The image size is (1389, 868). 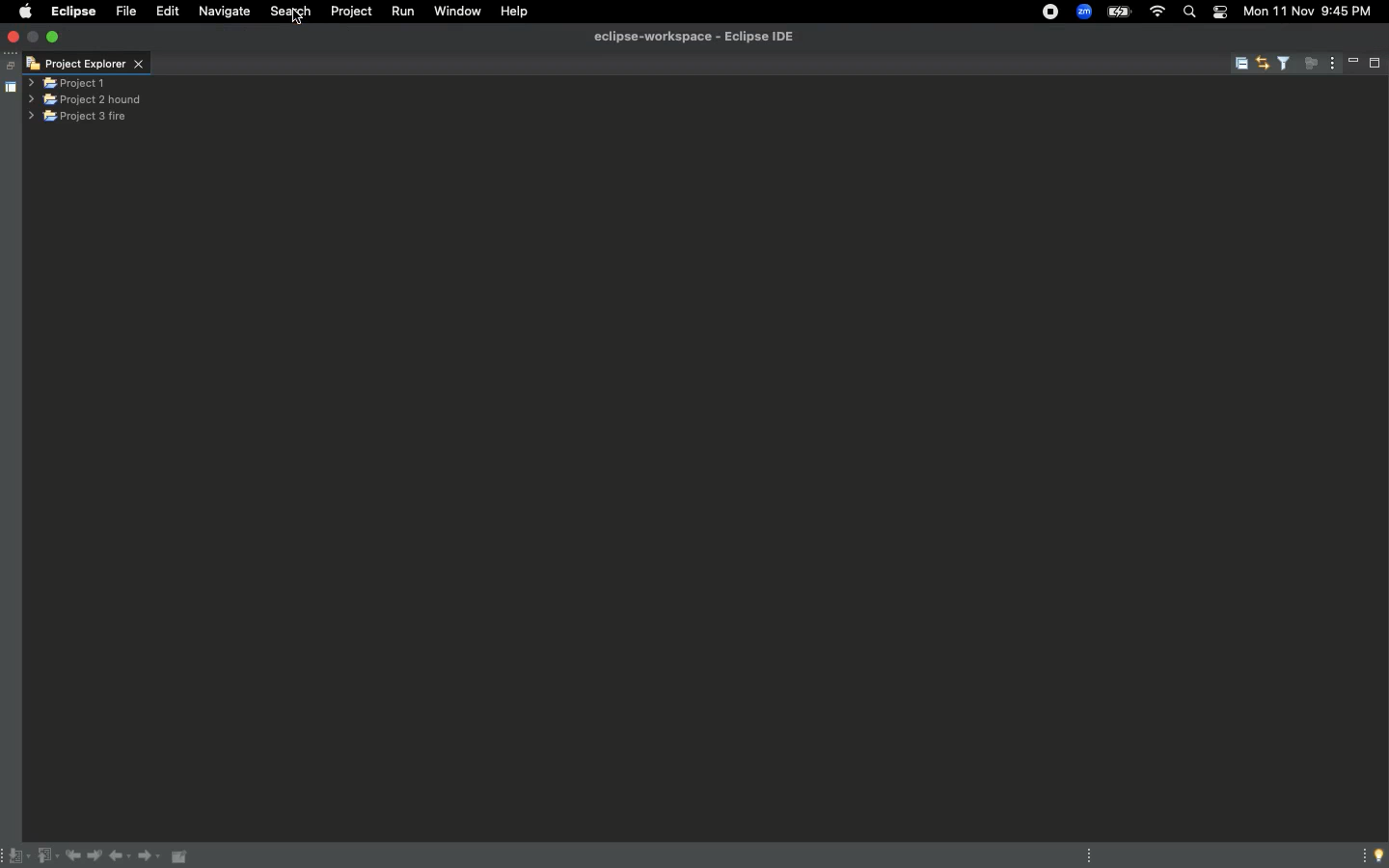 What do you see at coordinates (68, 83) in the screenshot?
I see `Project 1` at bounding box center [68, 83].